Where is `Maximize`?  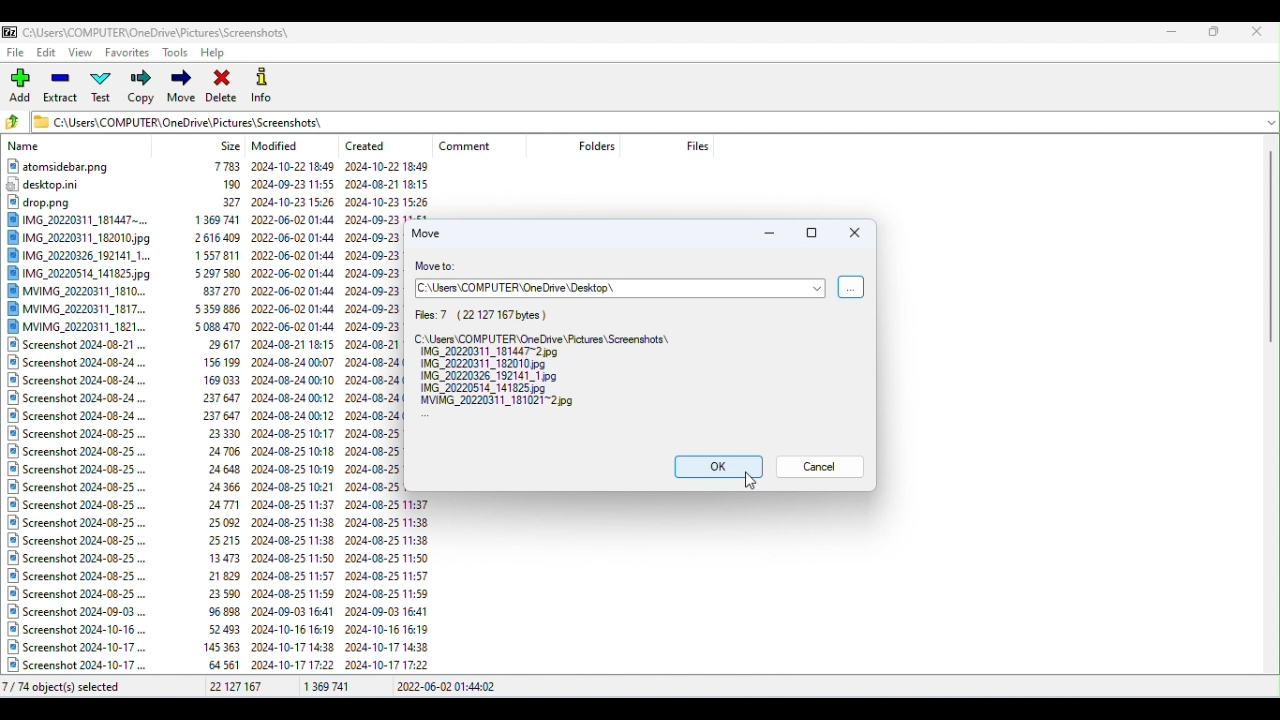 Maximize is located at coordinates (810, 235).